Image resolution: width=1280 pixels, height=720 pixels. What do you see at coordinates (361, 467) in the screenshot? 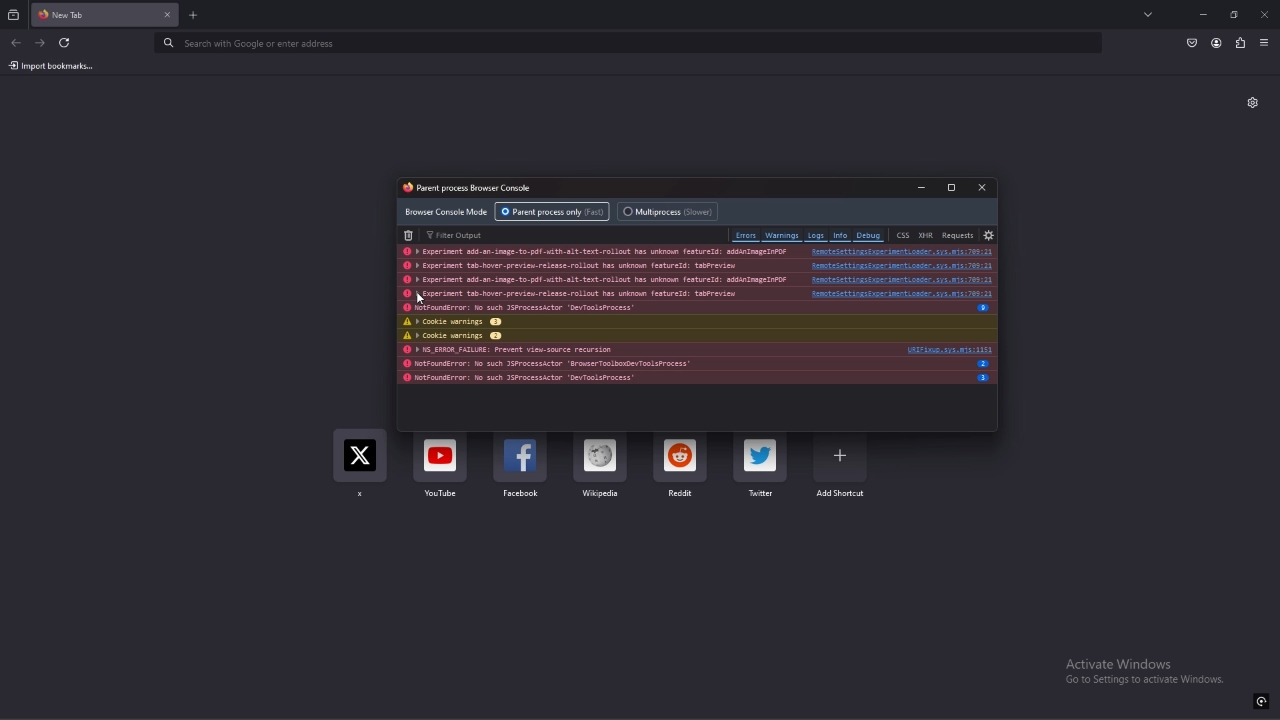
I see `x` at bounding box center [361, 467].